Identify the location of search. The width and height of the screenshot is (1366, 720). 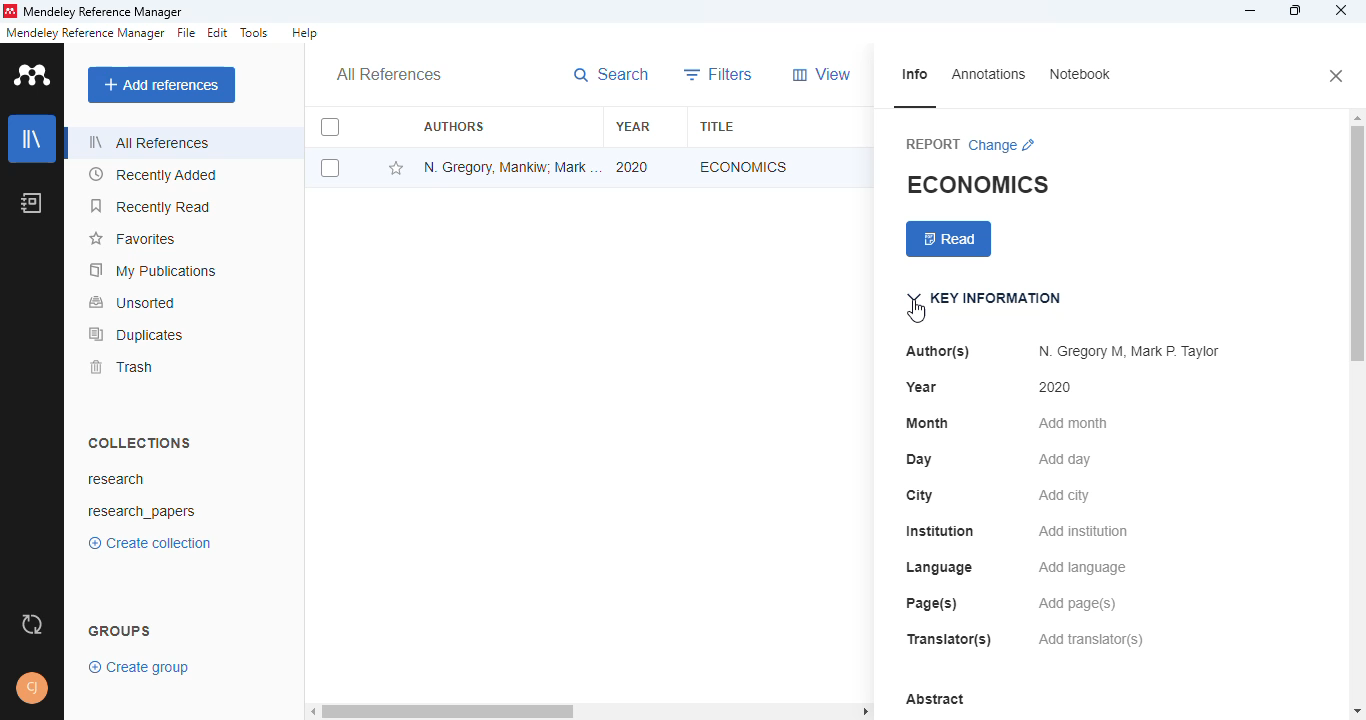
(611, 75).